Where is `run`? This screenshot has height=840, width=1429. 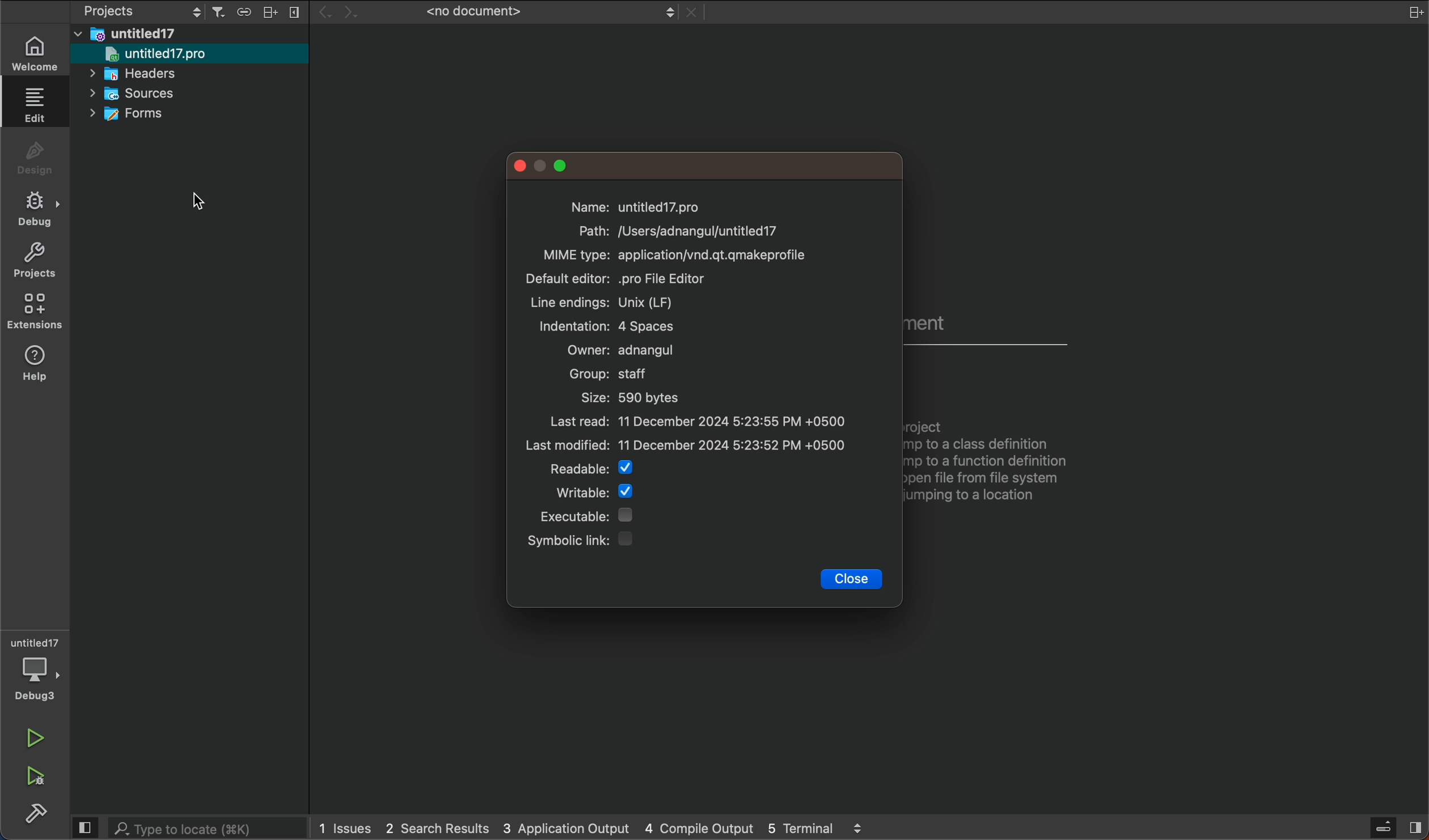 run is located at coordinates (33, 734).